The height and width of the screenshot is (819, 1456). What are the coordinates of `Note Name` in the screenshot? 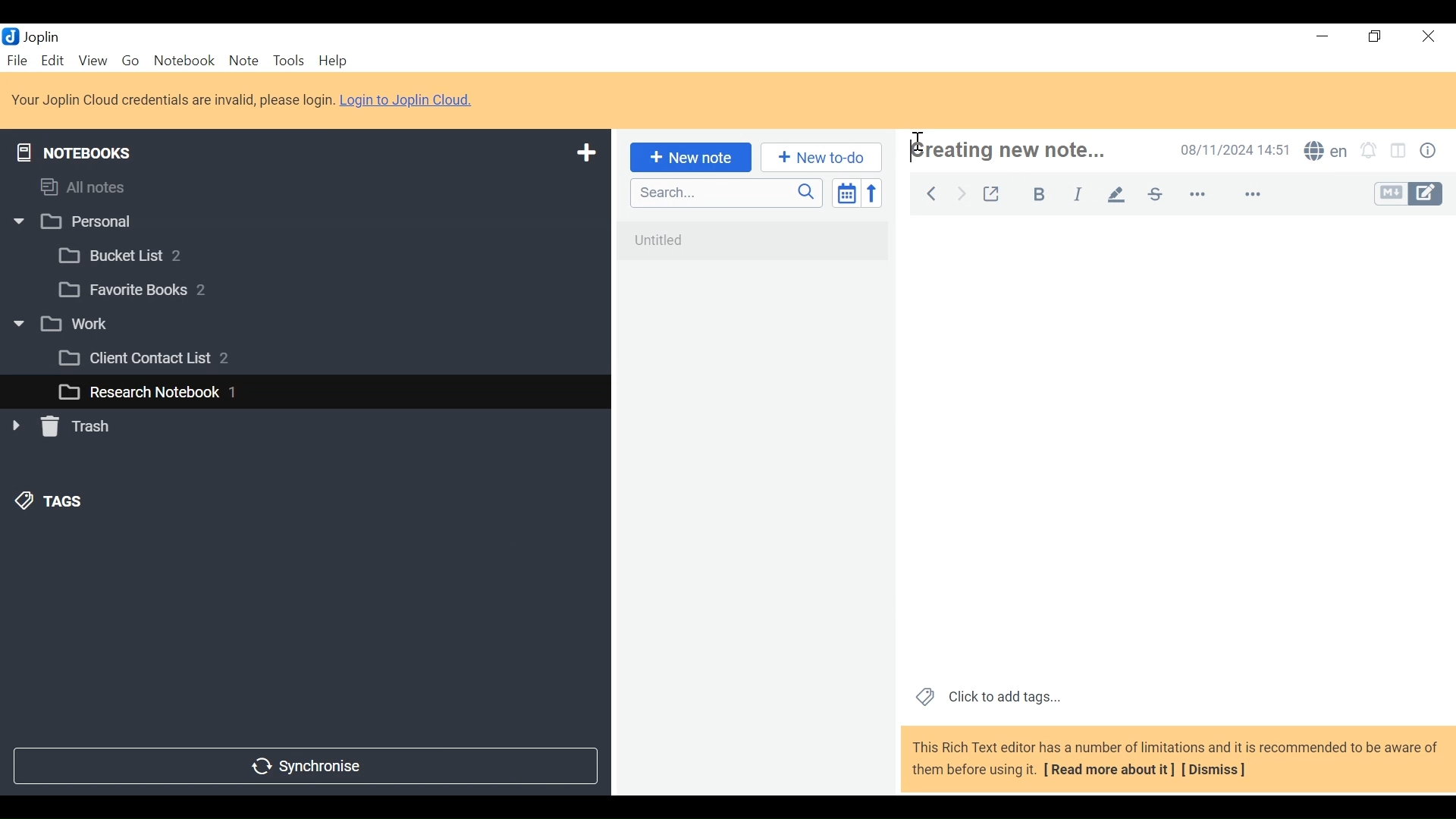 It's located at (1026, 152).